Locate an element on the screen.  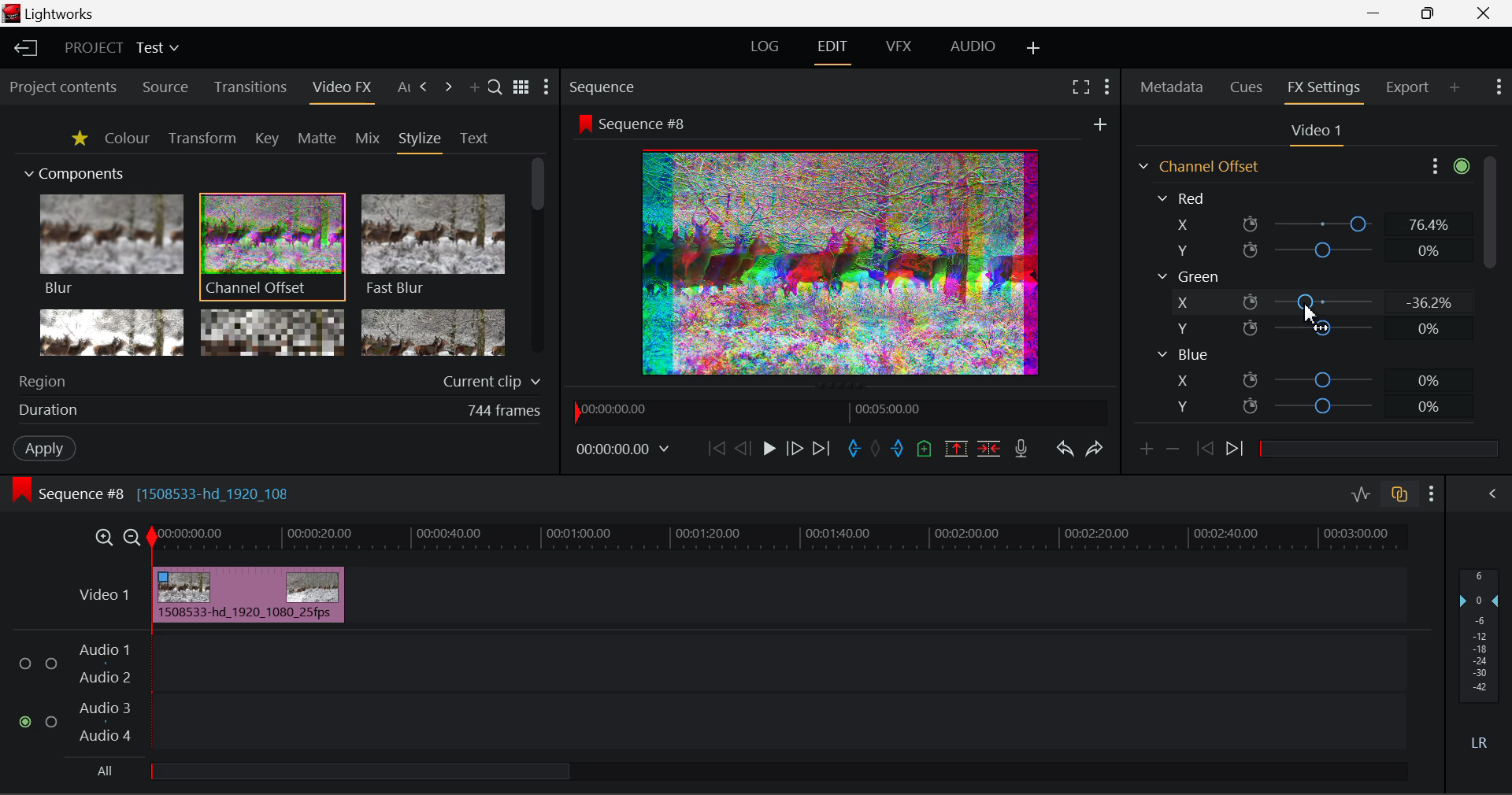
Remove marked Section is located at coordinates (959, 449).